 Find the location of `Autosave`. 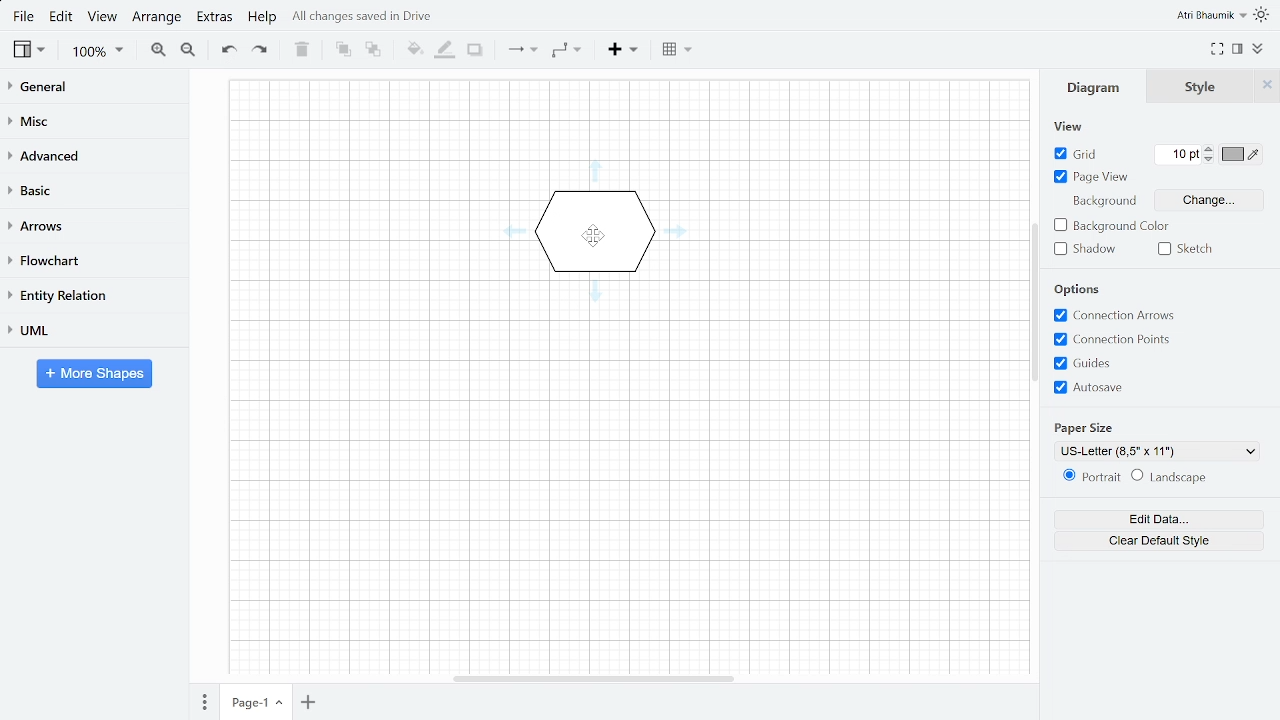

Autosave is located at coordinates (1104, 385).